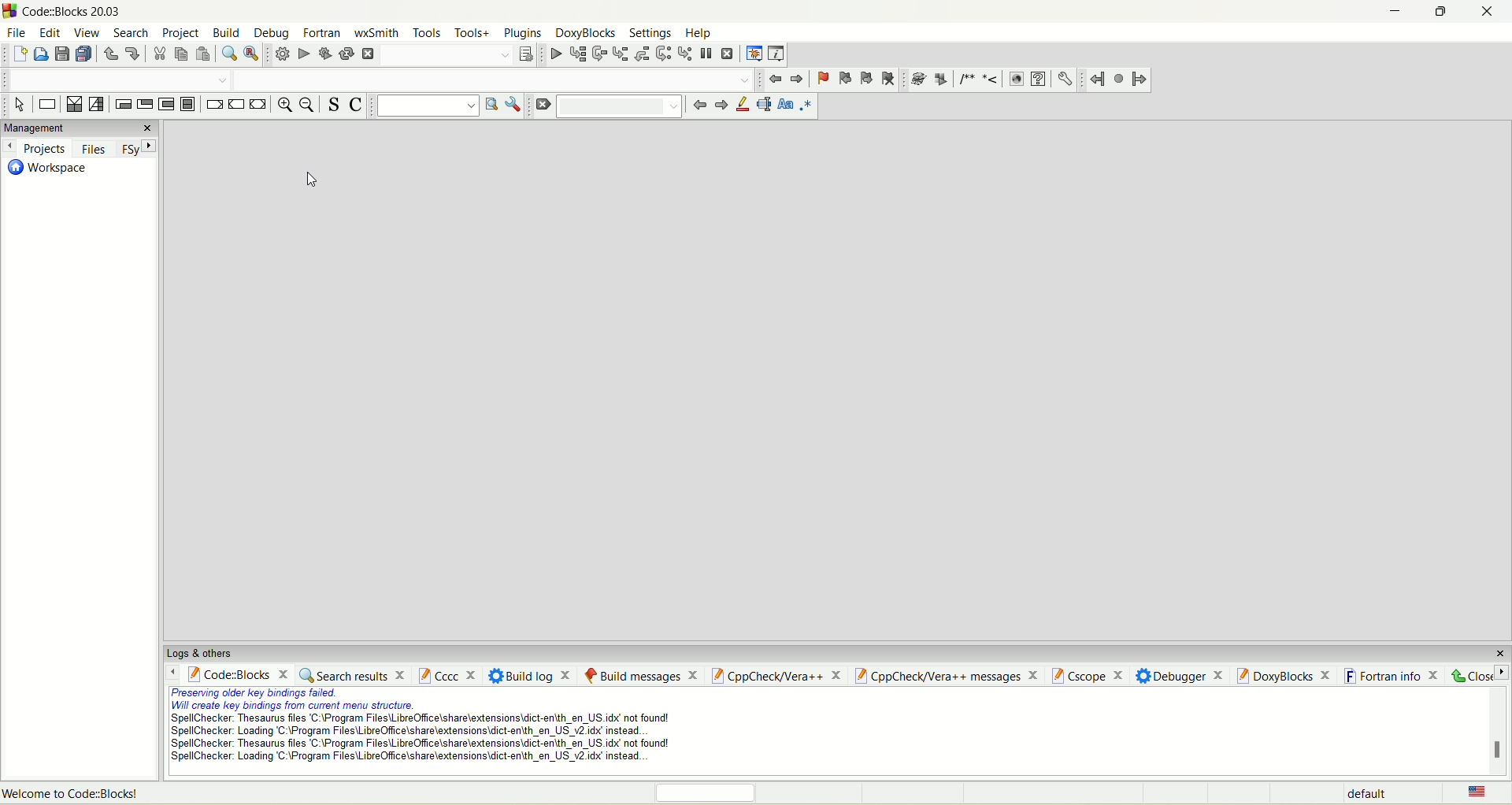  I want to click on build log, so click(531, 675).